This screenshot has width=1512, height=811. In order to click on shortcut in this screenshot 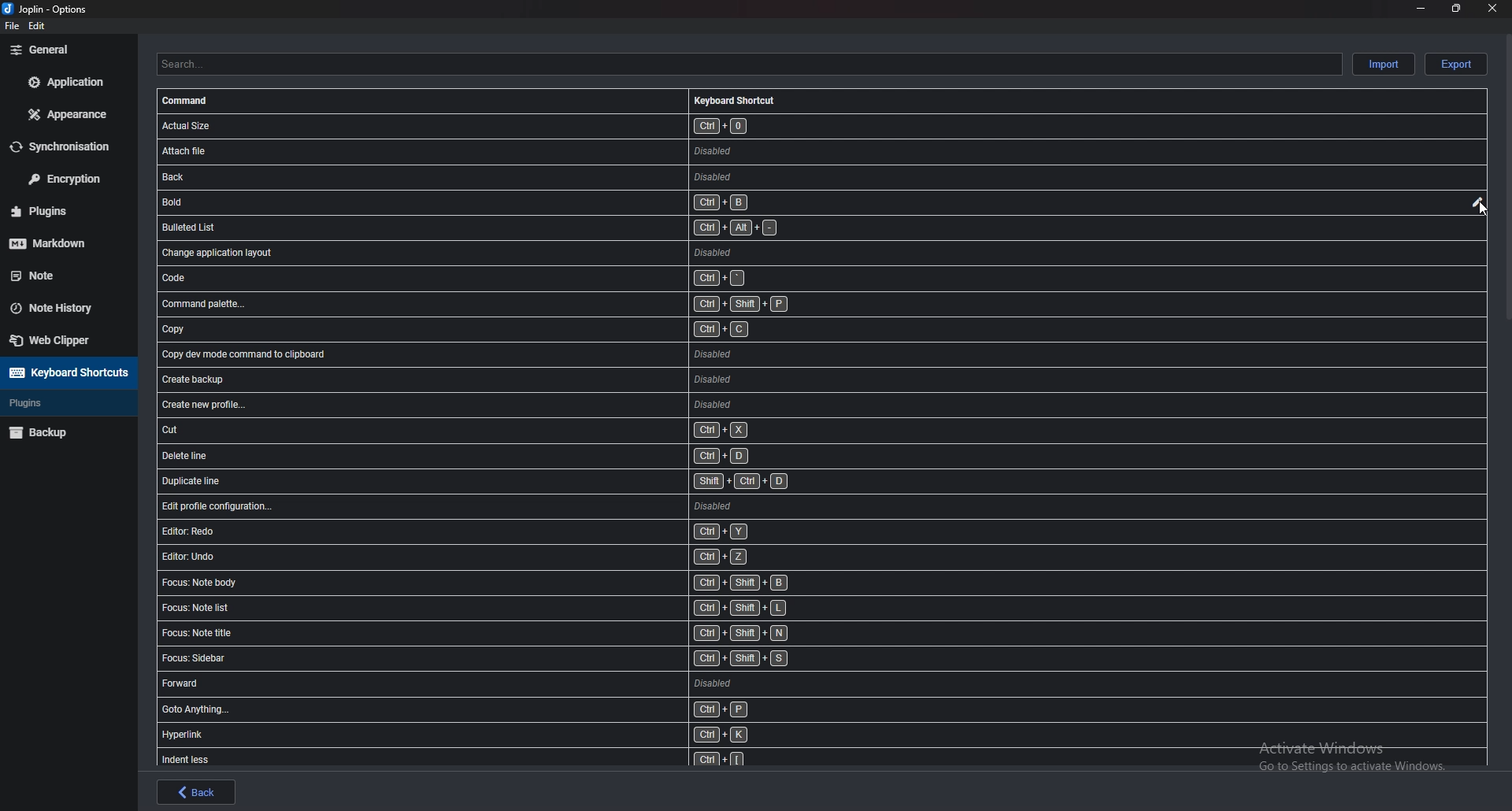, I will do `click(513, 758)`.